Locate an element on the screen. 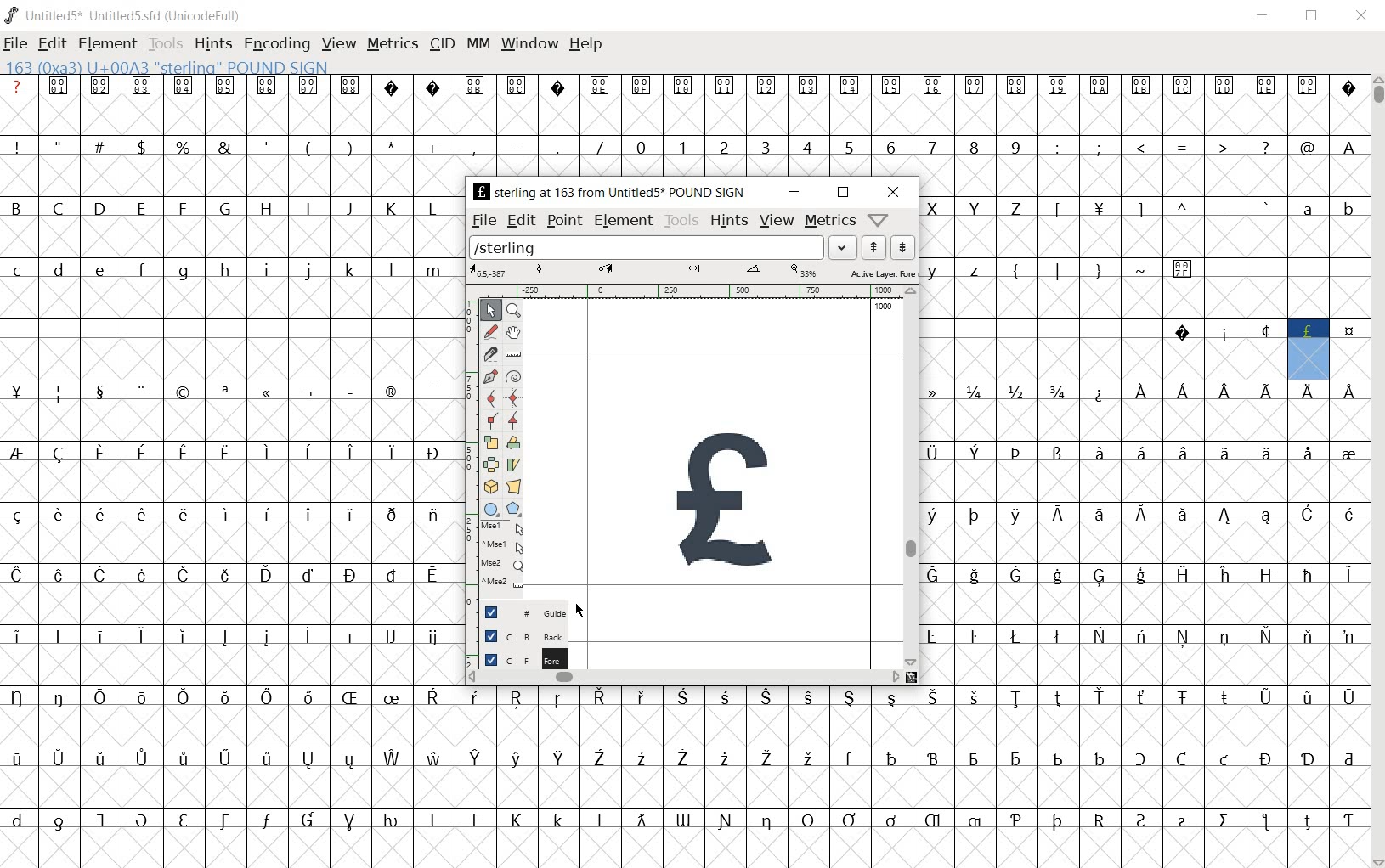  c is located at coordinates (19, 270).